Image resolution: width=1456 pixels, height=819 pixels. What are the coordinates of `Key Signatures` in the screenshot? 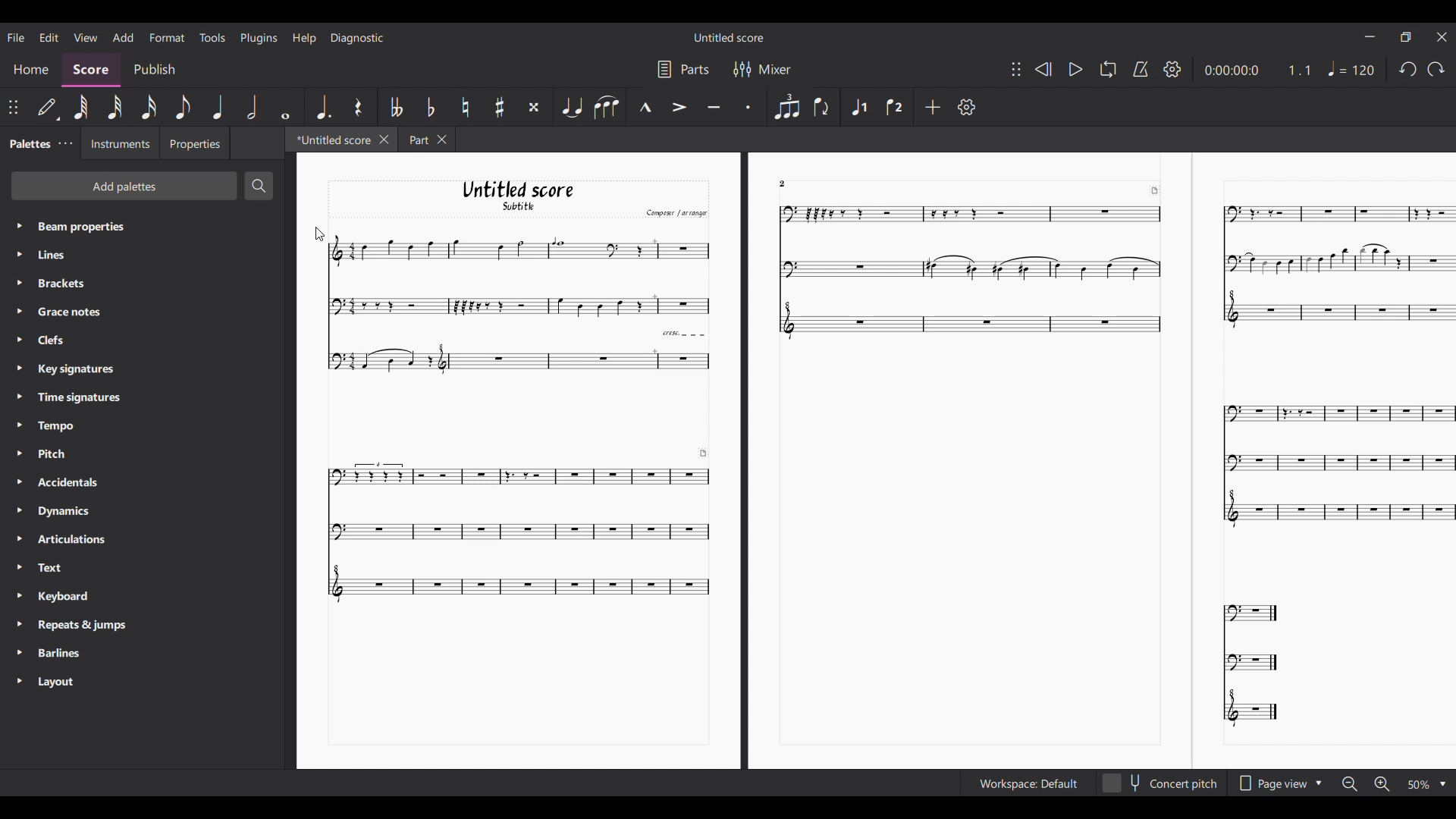 It's located at (76, 369).